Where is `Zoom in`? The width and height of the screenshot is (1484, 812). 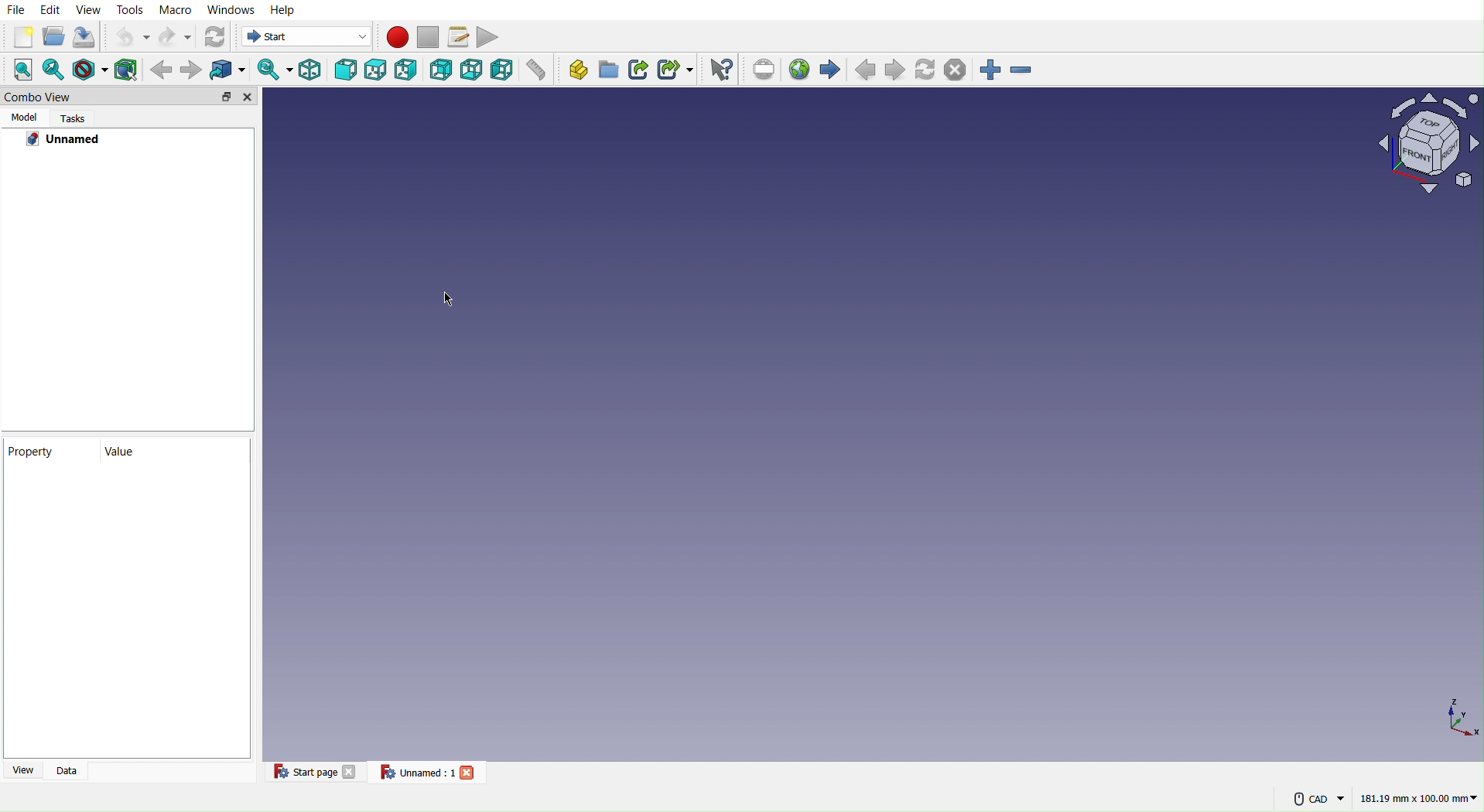 Zoom in is located at coordinates (992, 71).